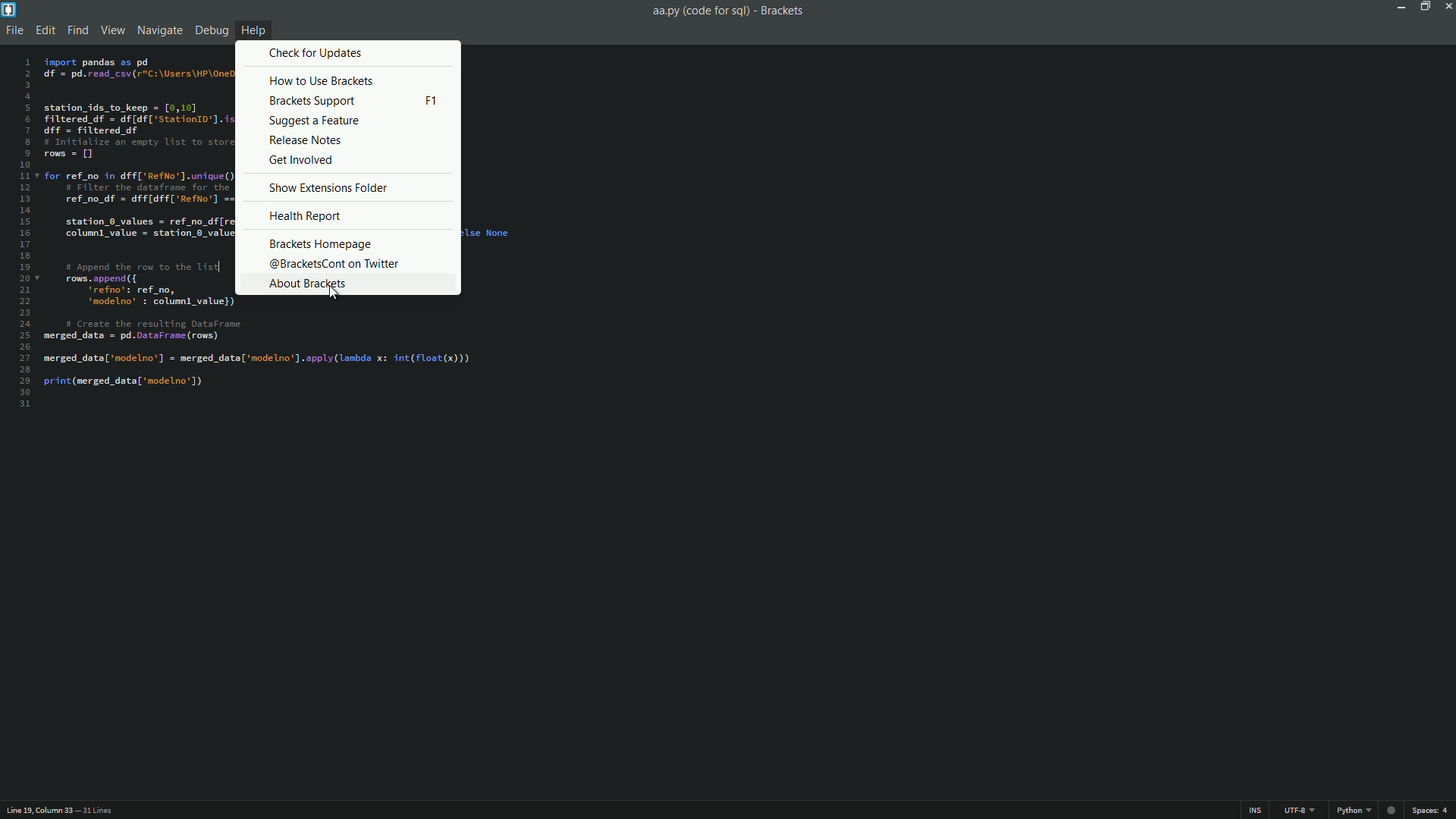 The image size is (1456, 819). Describe the element at coordinates (431, 101) in the screenshot. I see `keyboard shortcut` at that location.